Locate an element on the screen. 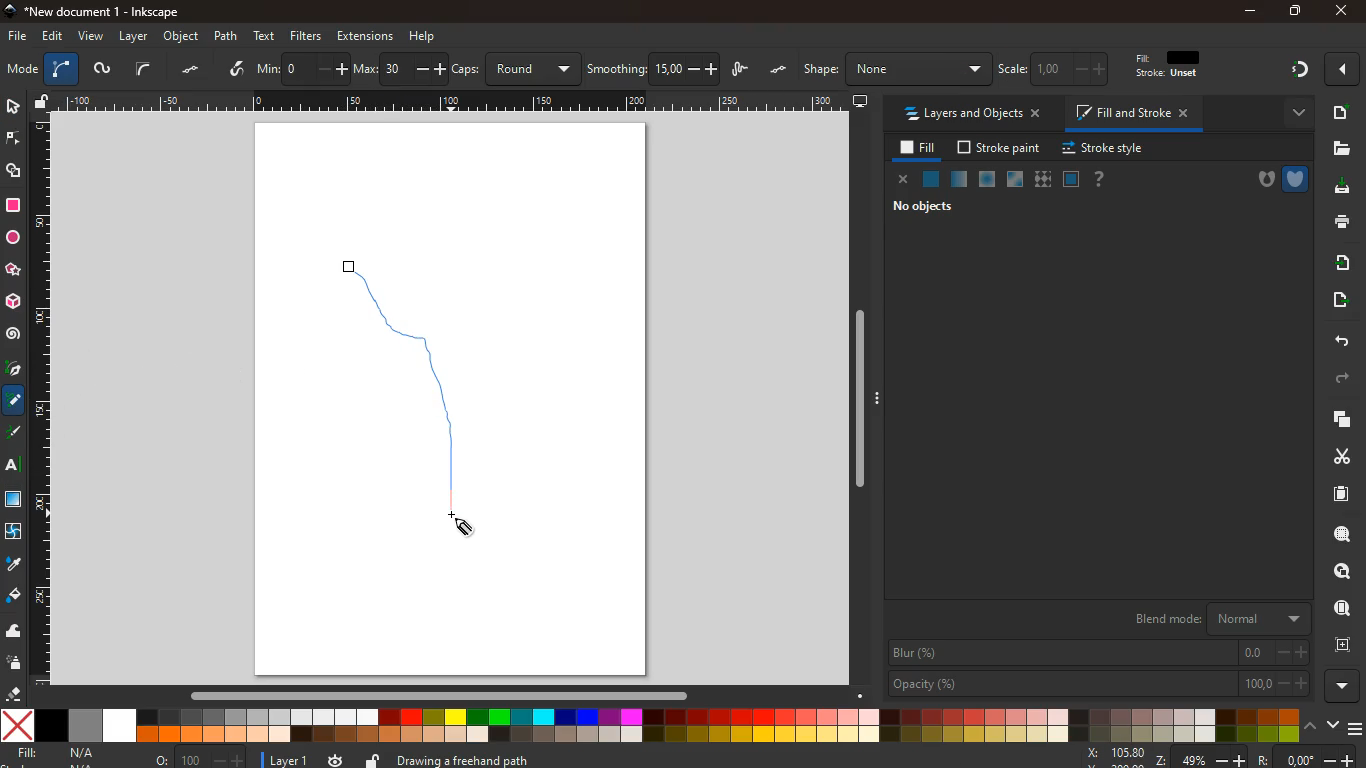 The image size is (1366, 768). graph is located at coordinates (371, 70).